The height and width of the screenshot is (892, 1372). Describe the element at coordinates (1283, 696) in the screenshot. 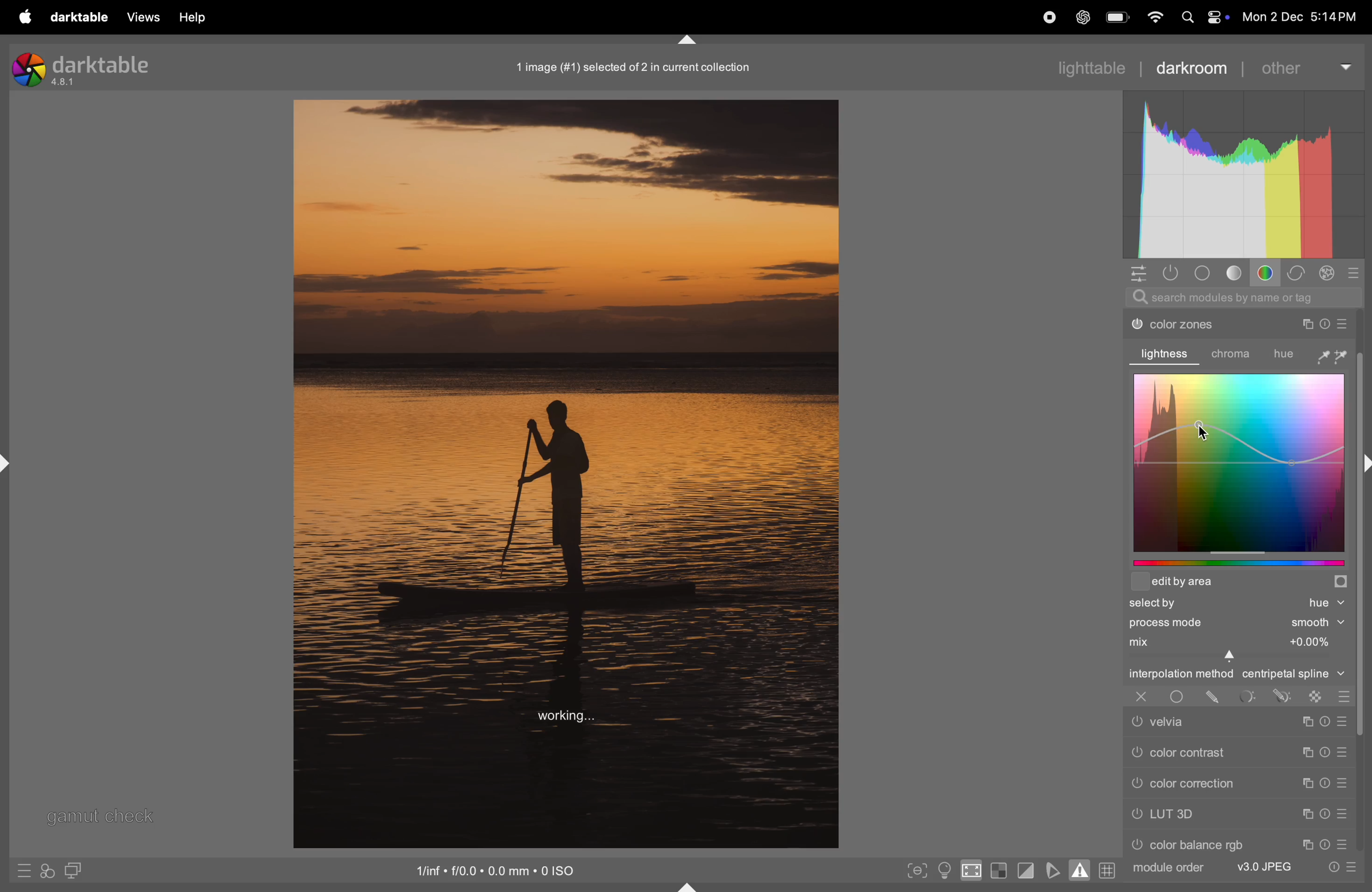

I see `` at that location.